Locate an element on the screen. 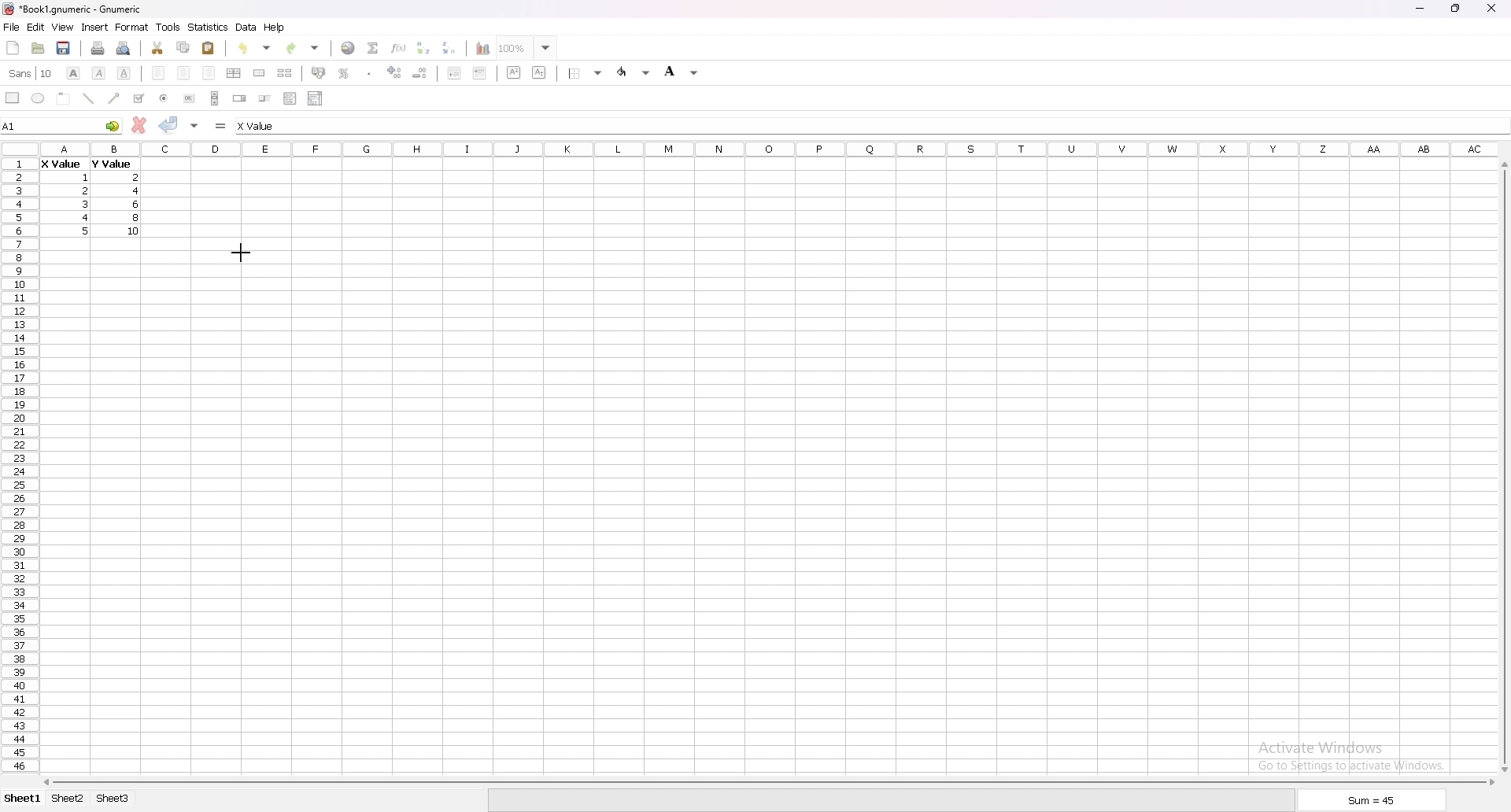  formula is located at coordinates (222, 125).